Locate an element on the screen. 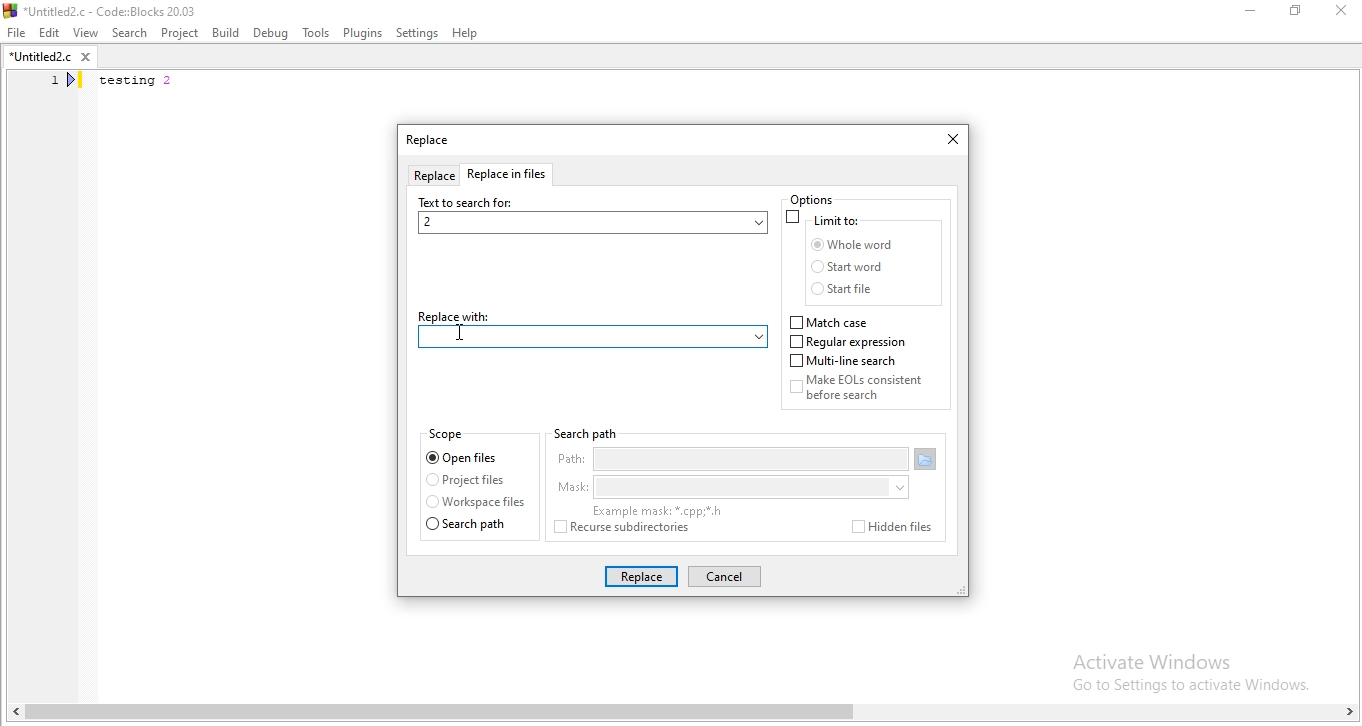 The height and width of the screenshot is (726, 1362). hidden files is located at coordinates (887, 527).